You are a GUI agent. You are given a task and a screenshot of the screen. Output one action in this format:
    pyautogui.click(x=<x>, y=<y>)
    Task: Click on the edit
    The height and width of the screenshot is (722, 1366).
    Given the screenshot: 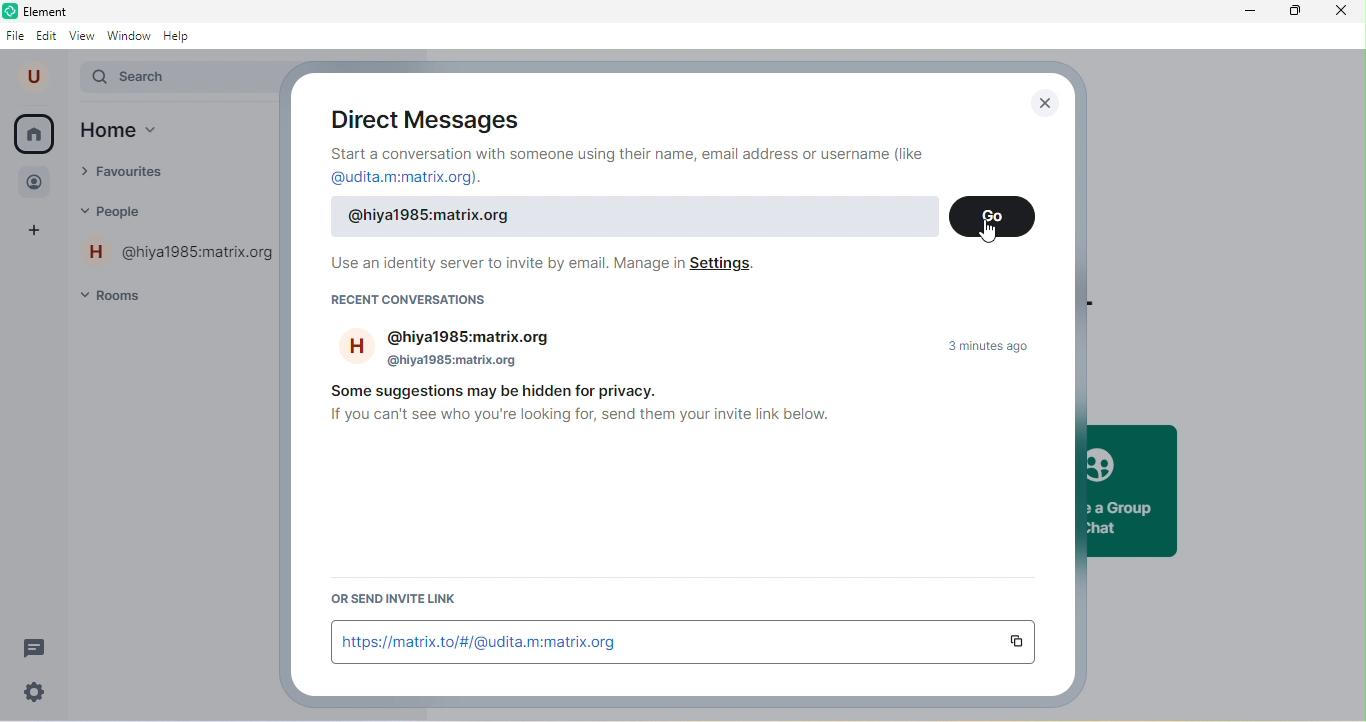 What is the action you would take?
    pyautogui.click(x=48, y=37)
    